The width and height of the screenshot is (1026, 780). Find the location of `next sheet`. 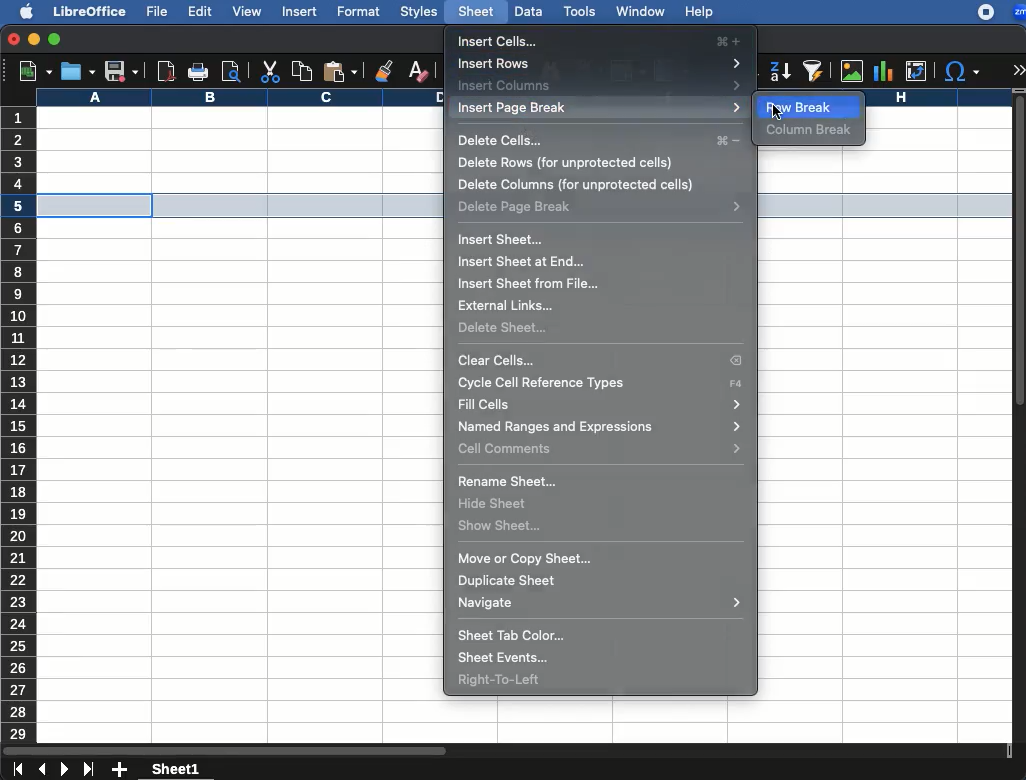

next sheet is located at coordinates (62, 770).